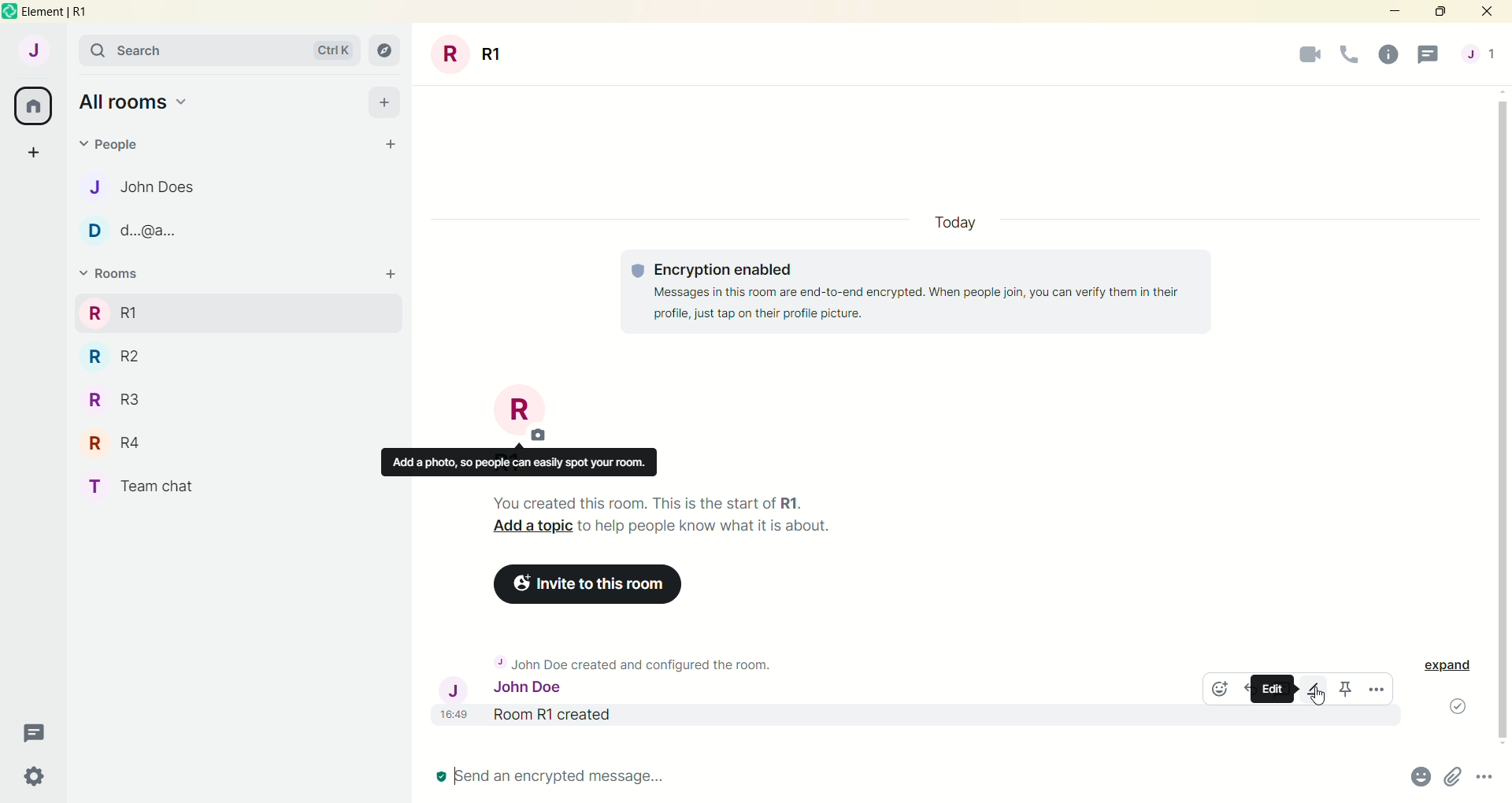 This screenshot has width=1512, height=803. What do you see at coordinates (1418, 779) in the screenshot?
I see `emoji` at bounding box center [1418, 779].